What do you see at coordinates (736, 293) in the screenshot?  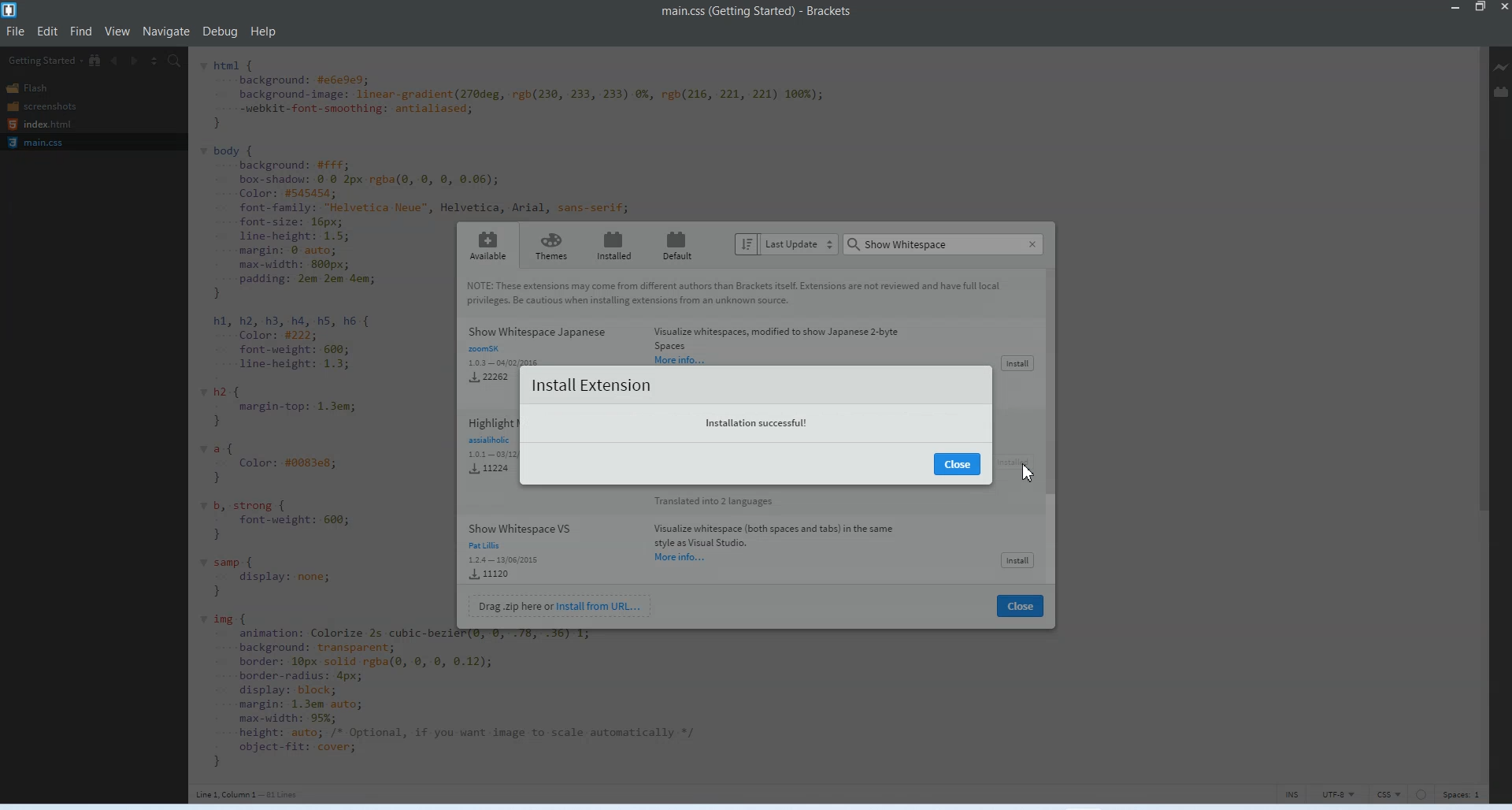 I see `Text` at bounding box center [736, 293].